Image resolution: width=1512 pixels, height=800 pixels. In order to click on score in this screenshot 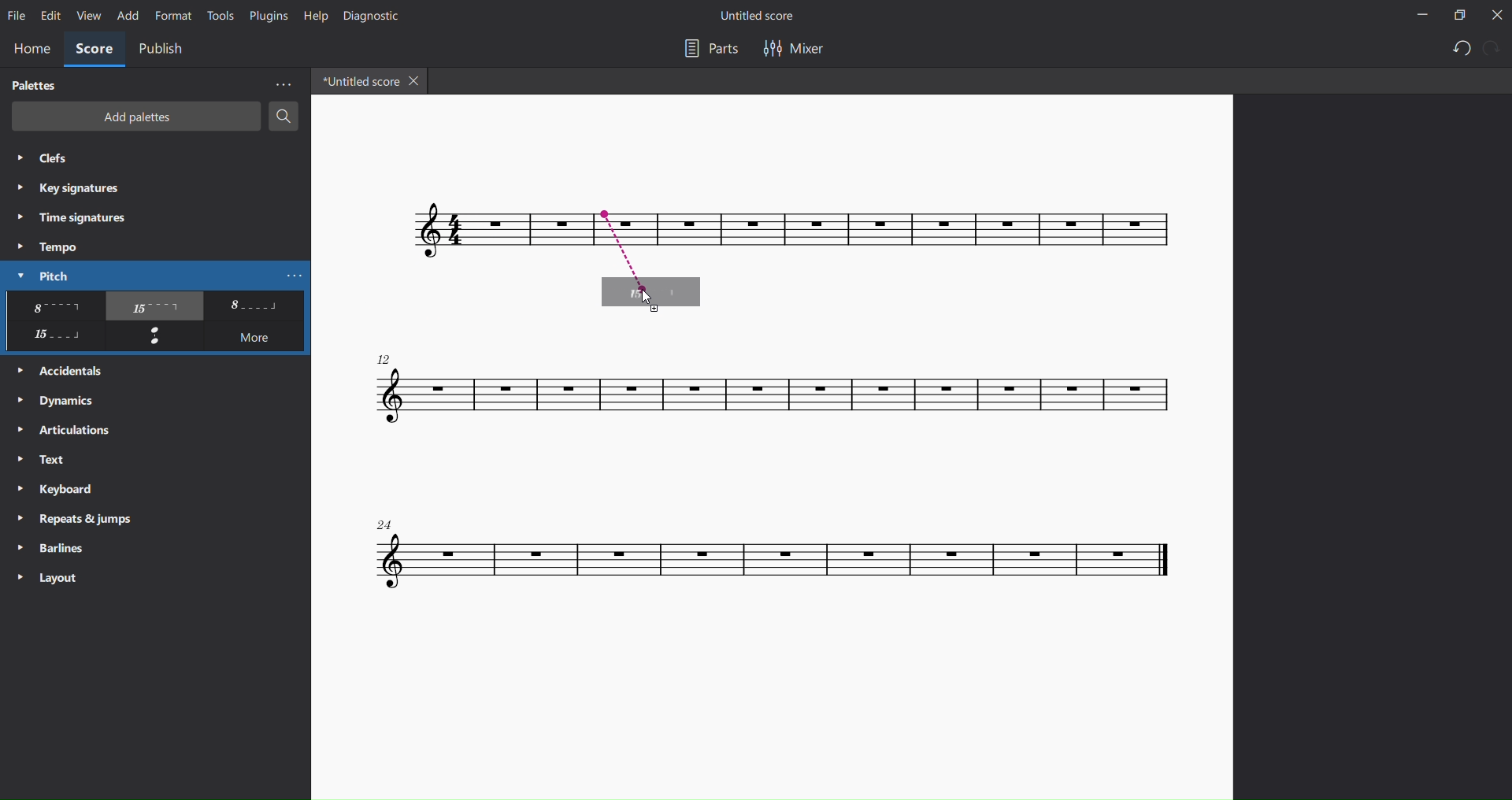, I will do `click(421, 235)`.